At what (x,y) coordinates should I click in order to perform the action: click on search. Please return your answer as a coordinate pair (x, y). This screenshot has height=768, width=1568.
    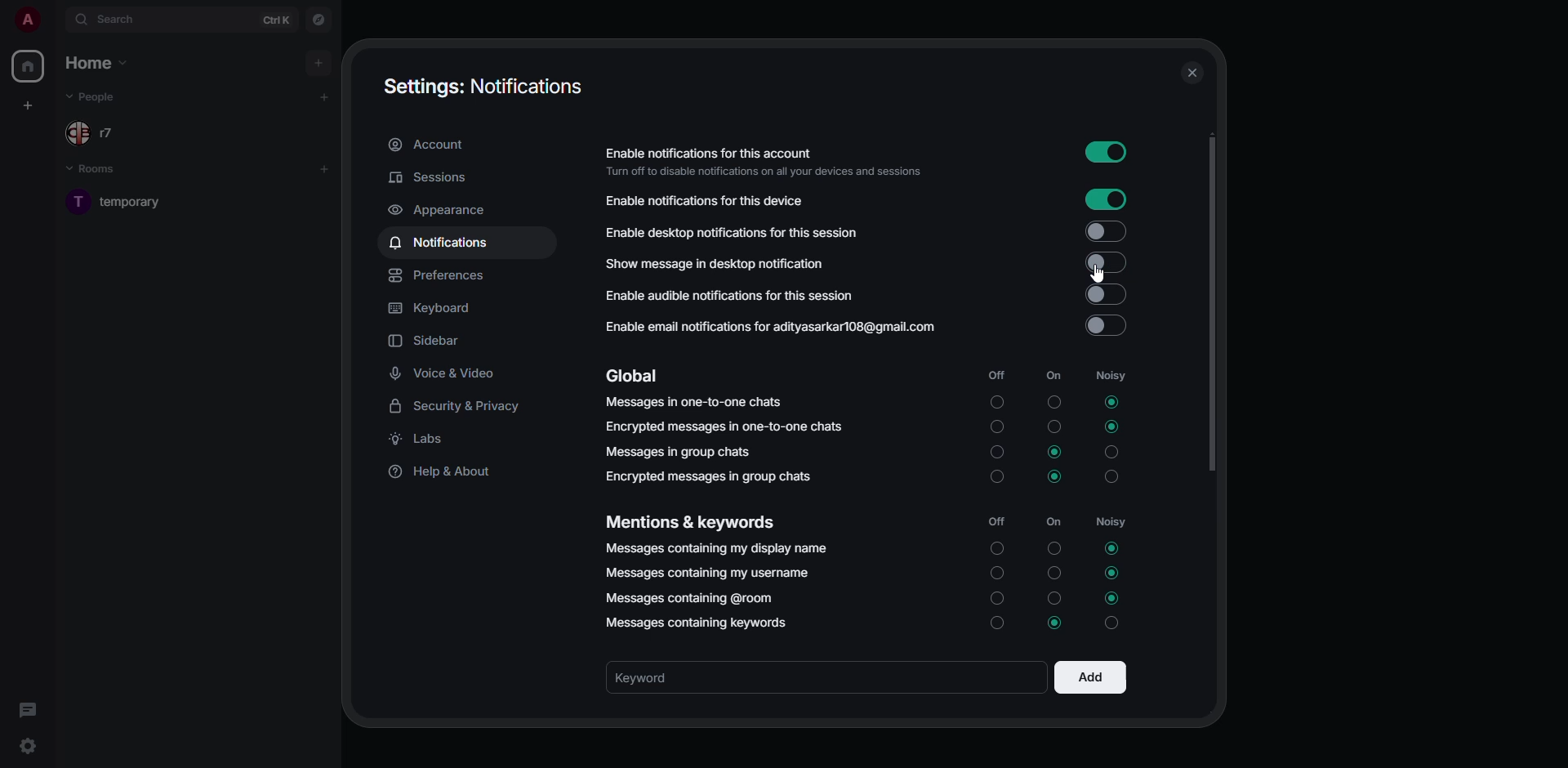
    Looking at the image, I should click on (106, 19).